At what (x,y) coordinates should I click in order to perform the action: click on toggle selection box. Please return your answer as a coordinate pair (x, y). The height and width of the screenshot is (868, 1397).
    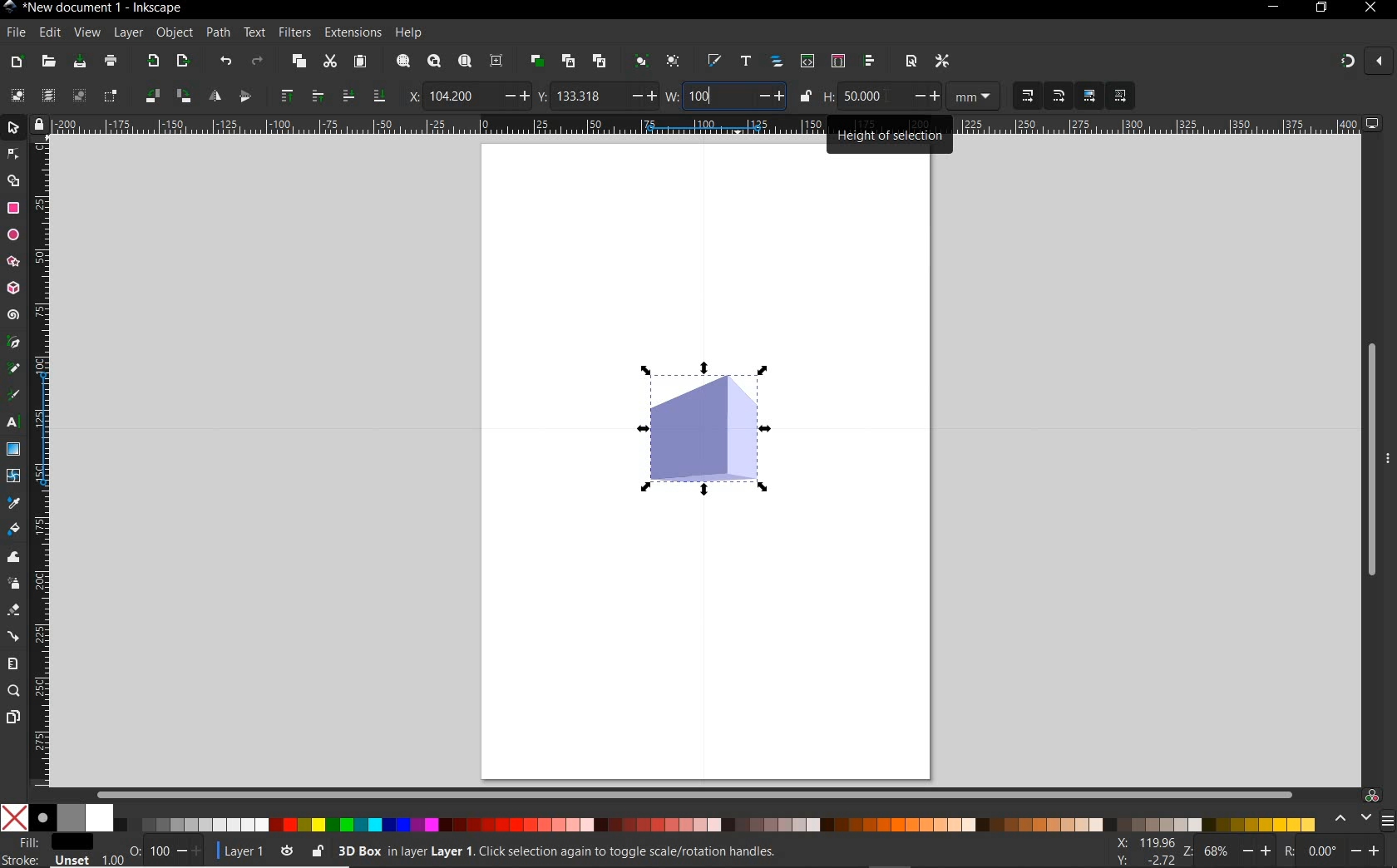
    Looking at the image, I should click on (111, 95).